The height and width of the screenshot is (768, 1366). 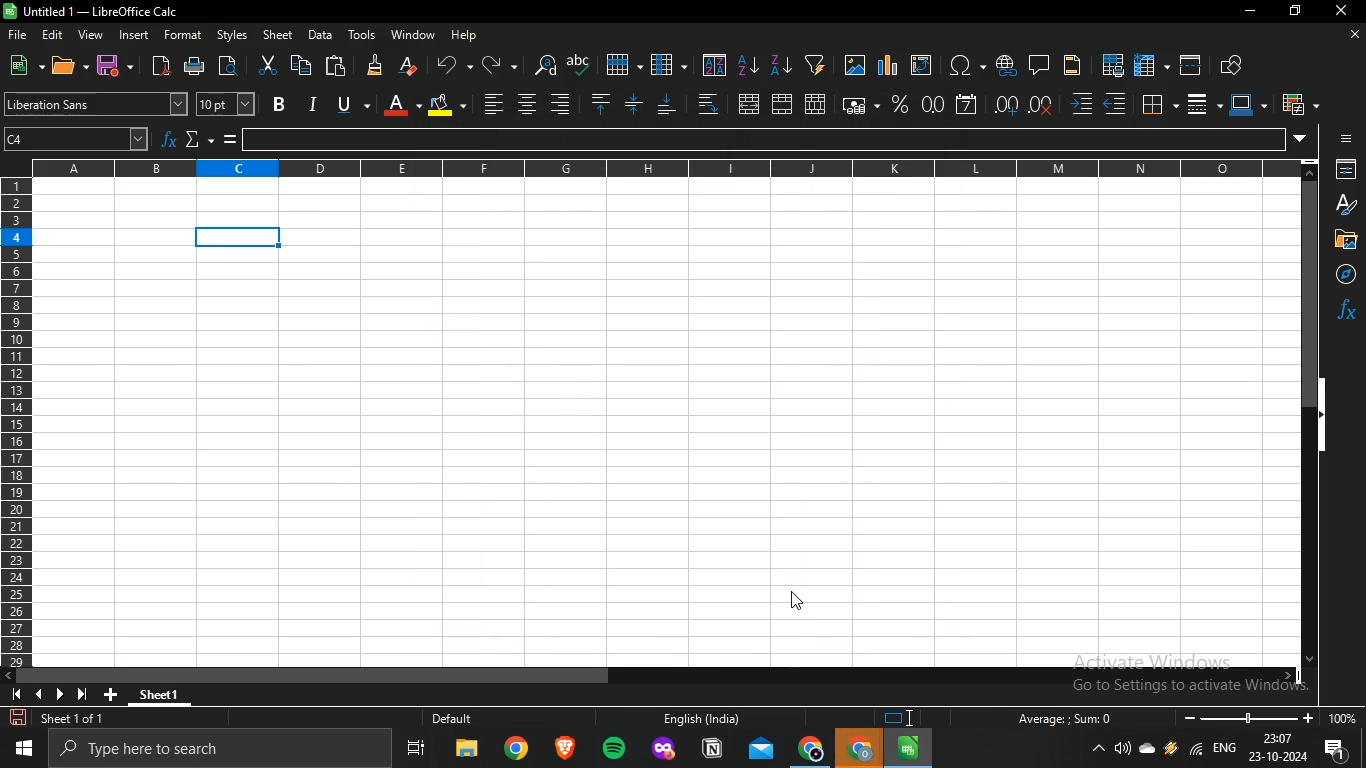 What do you see at coordinates (932, 103) in the screenshot?
I see `format as number` at bounding box center [932, 103].